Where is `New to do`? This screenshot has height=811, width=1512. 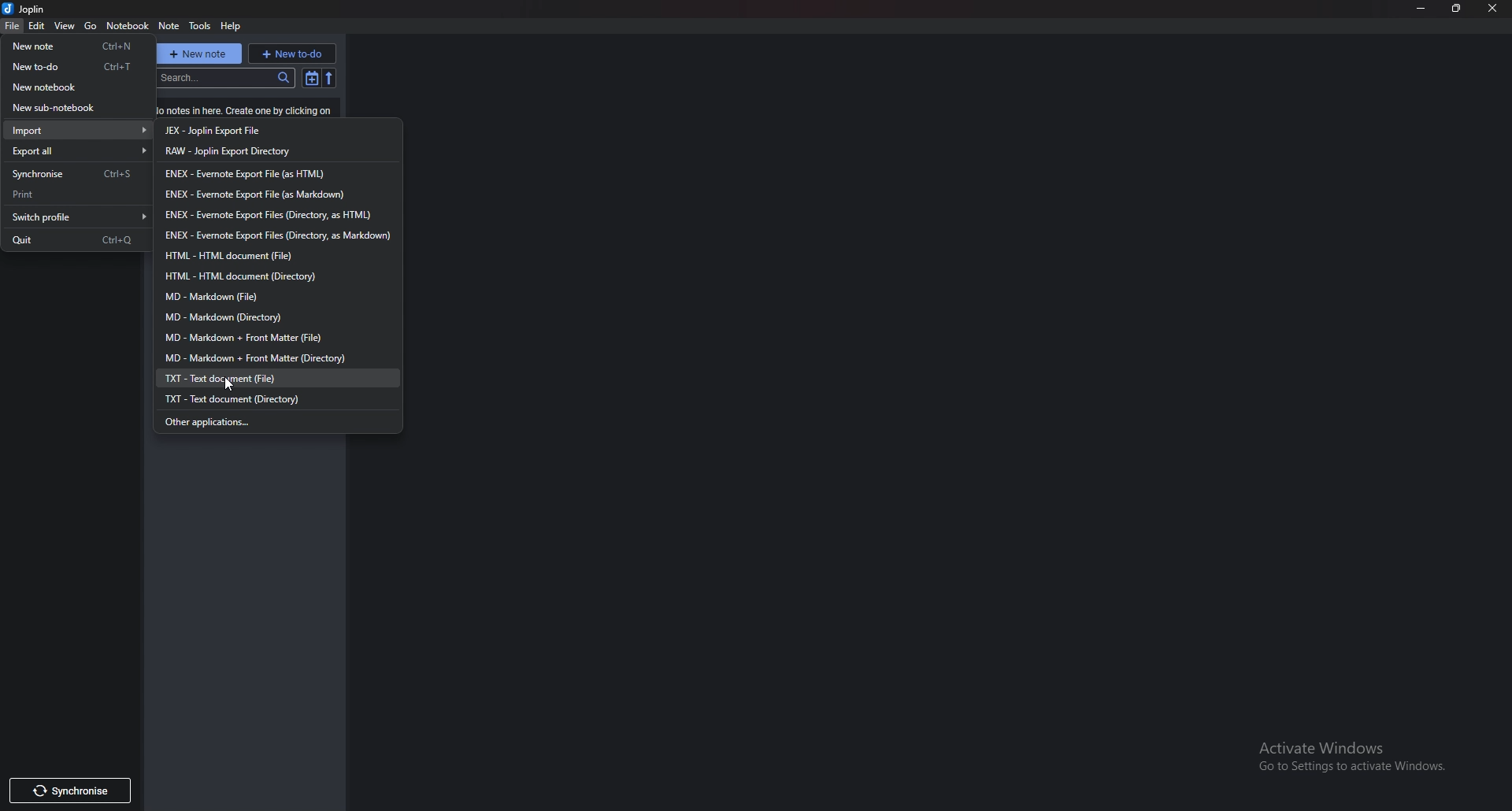 New to do is located at coordinates (78, 66).